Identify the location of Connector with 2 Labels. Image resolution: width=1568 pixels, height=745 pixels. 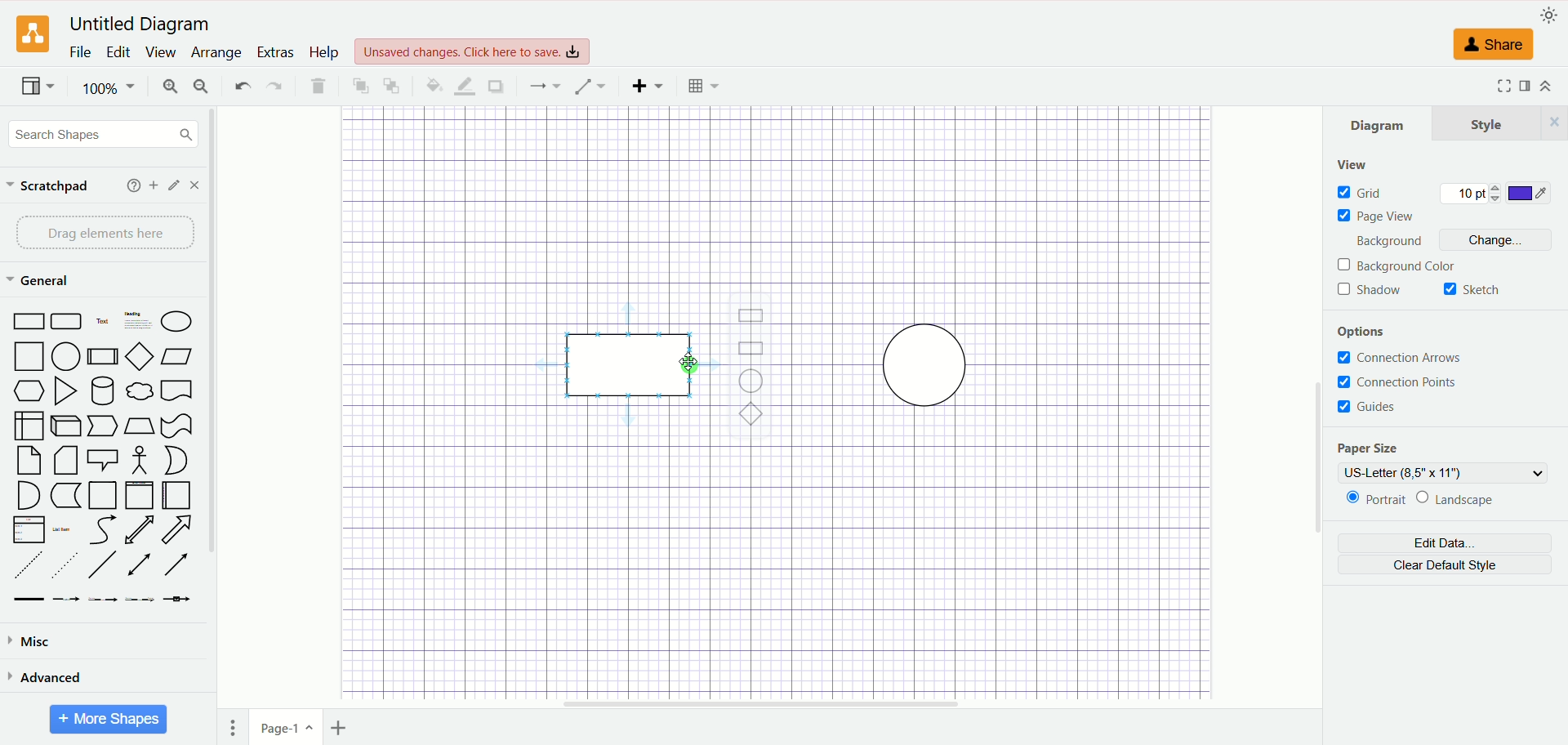
(104, 603).